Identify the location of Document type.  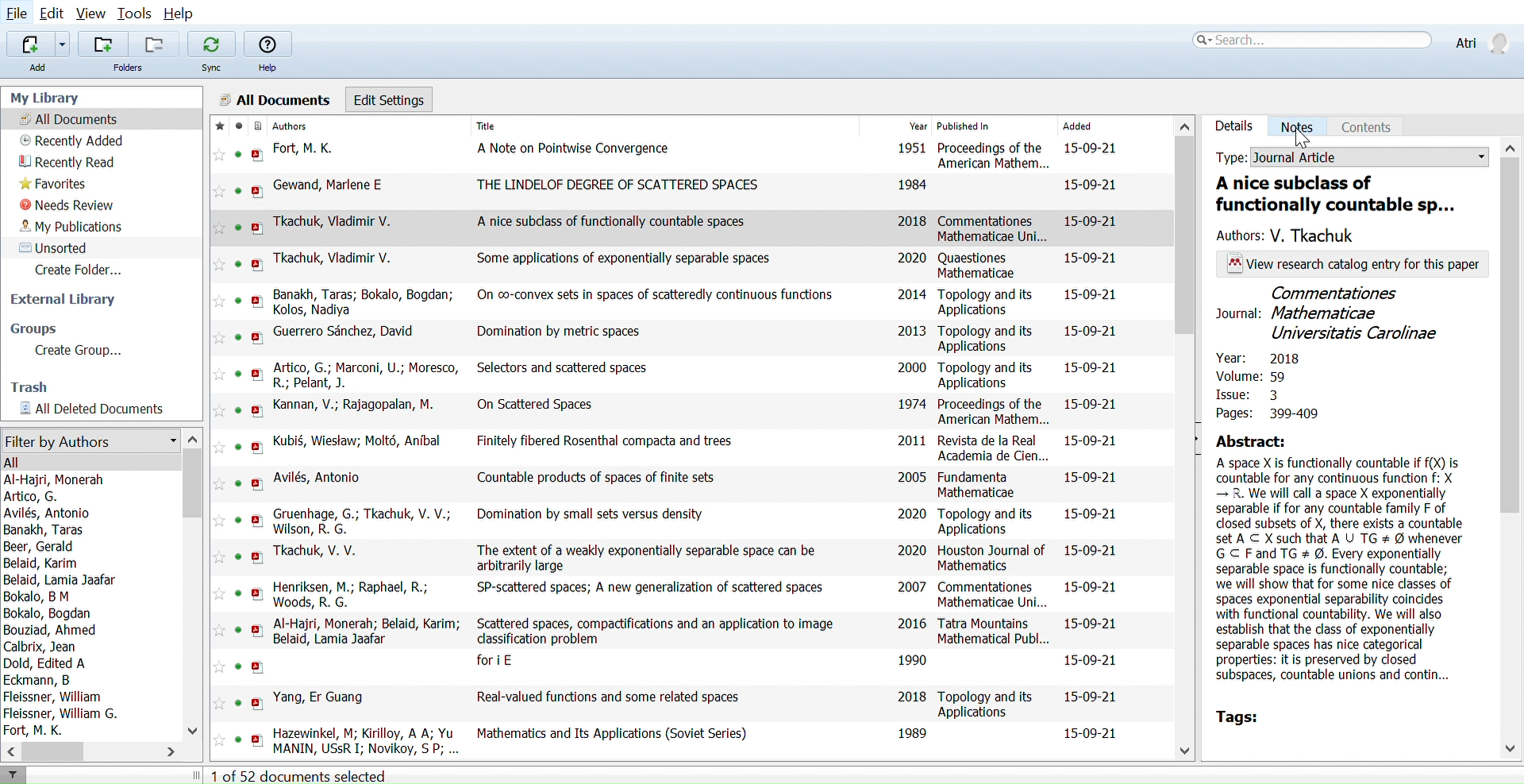
(1371, 156).